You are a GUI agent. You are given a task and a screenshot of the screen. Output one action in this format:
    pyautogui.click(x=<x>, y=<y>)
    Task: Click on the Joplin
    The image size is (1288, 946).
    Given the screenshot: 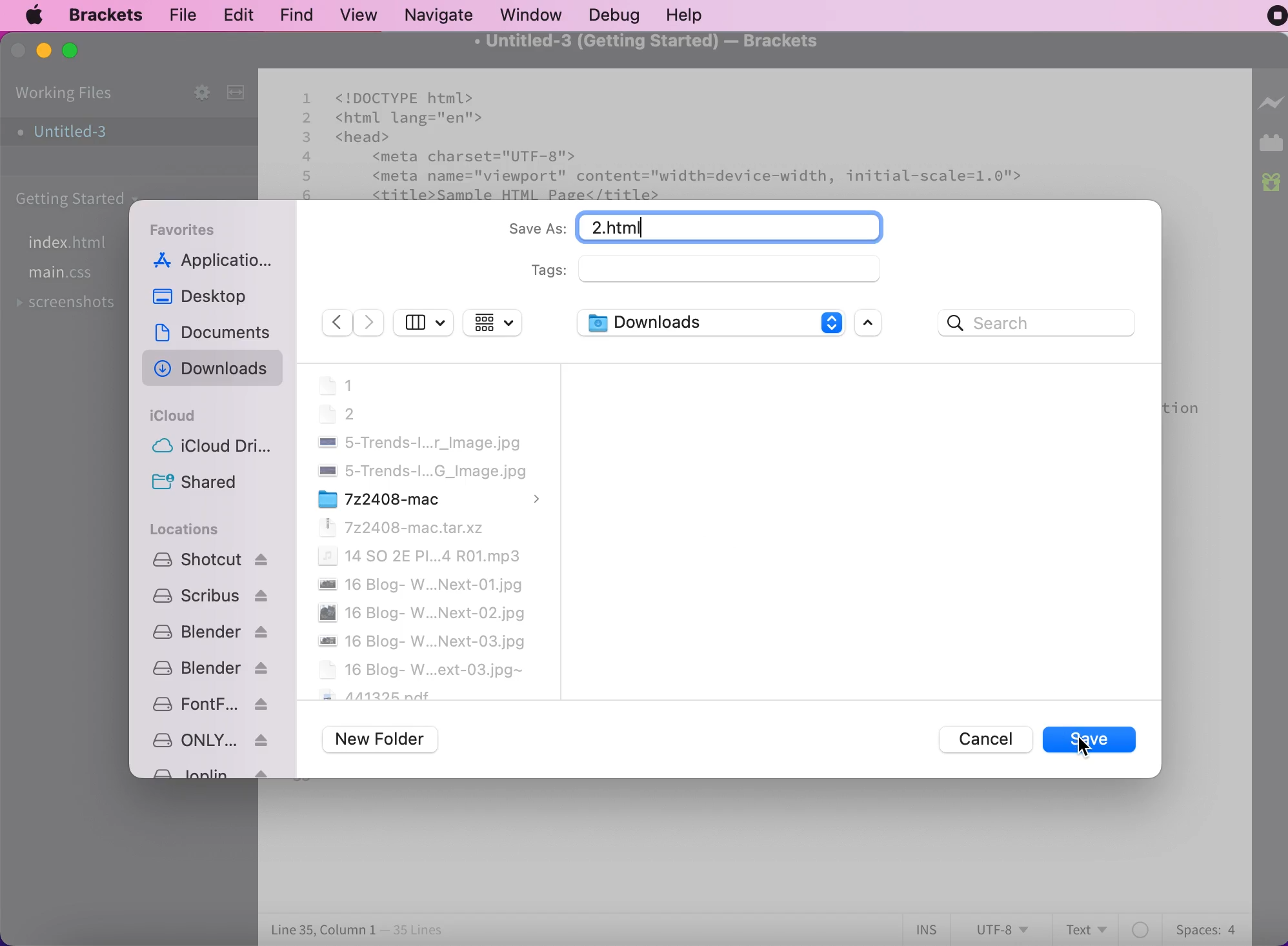 What is the action you would take?
    pyautogui.click(x=210, y=771)
    